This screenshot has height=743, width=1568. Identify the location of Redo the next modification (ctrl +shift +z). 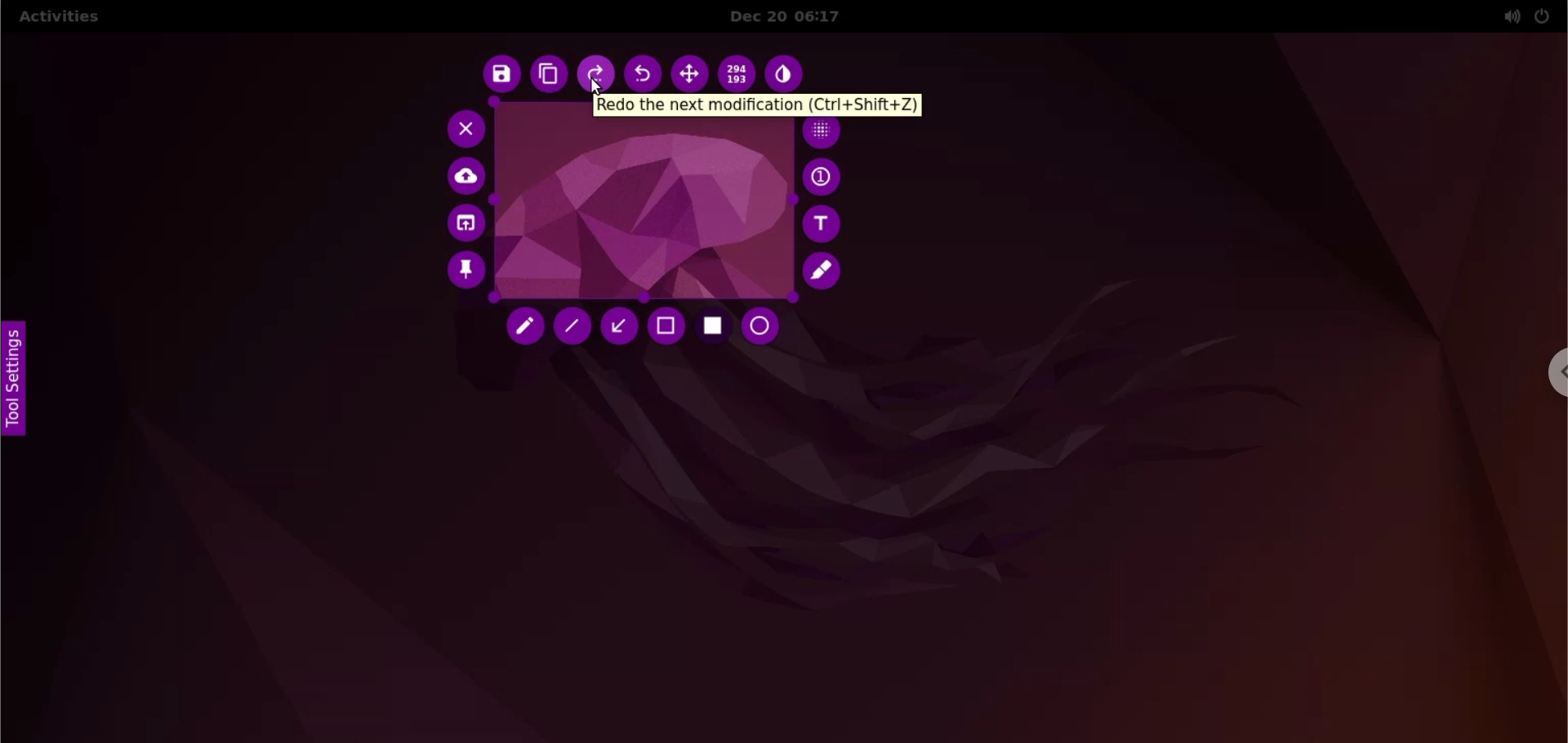
(755, 107).